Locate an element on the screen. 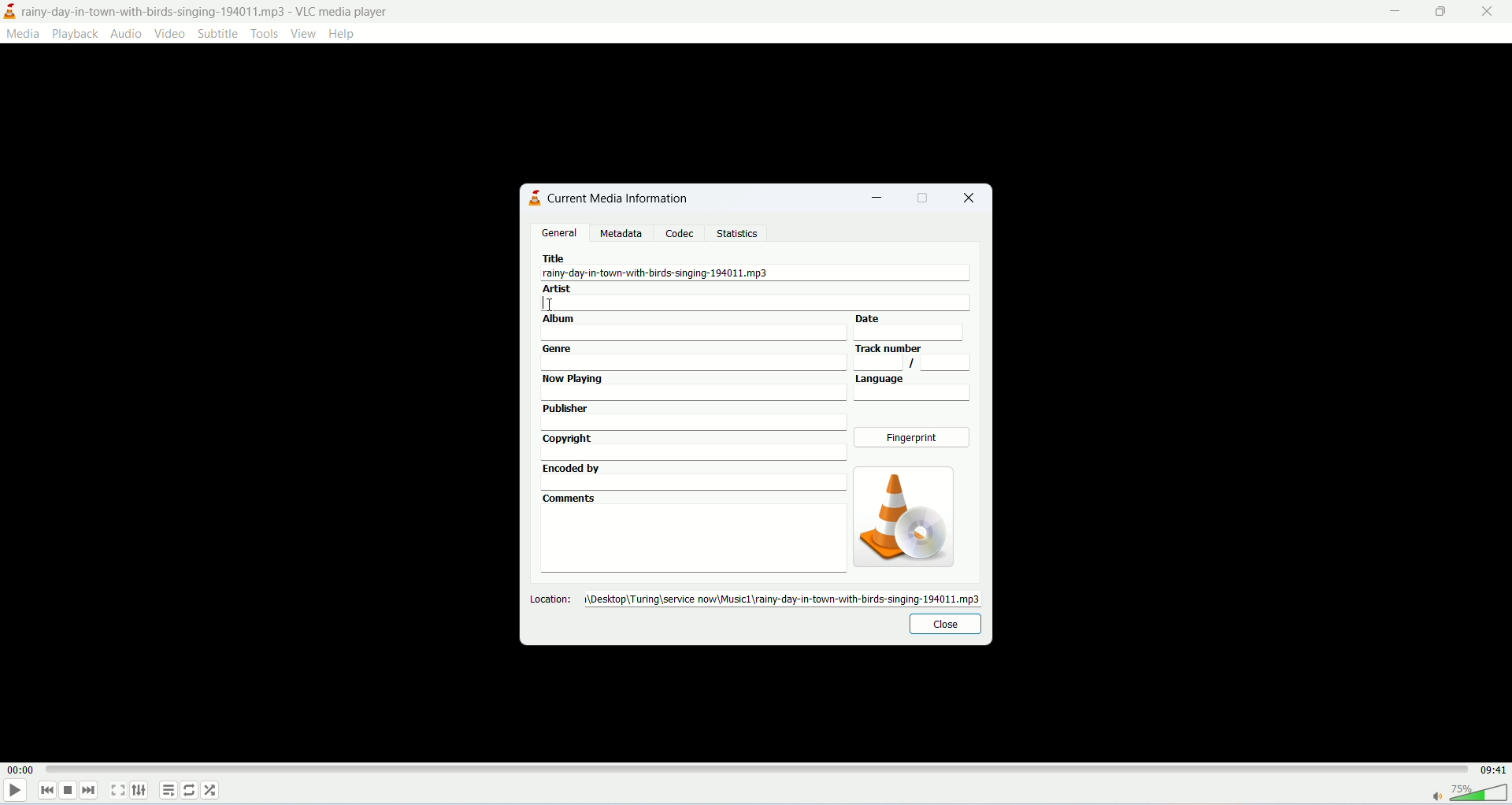 The height and width of the screenshot is (805, 1512). video is located at coordinates (171, 34).